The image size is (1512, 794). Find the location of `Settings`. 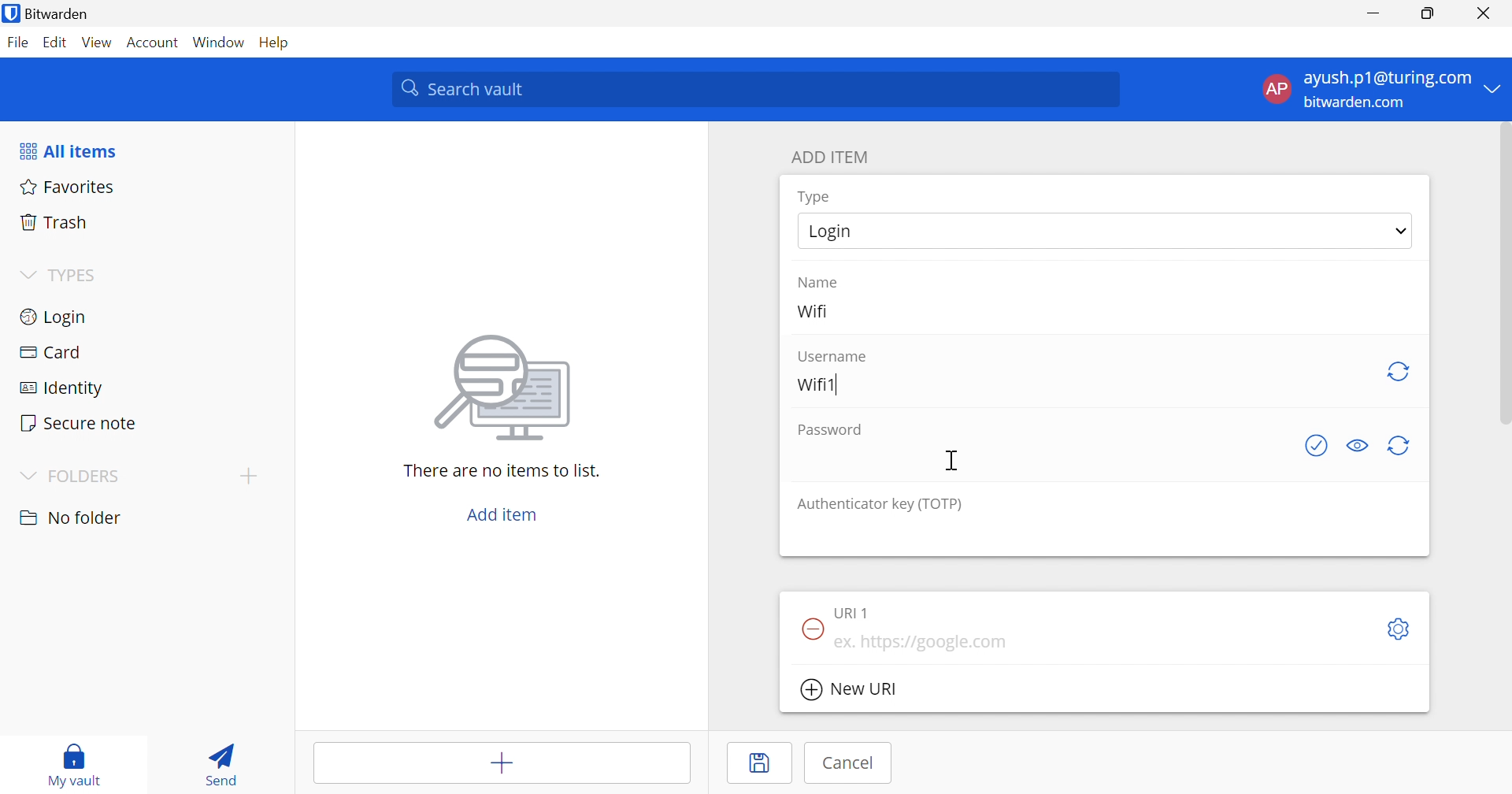

Settings is located at coordinates (1402, 630).